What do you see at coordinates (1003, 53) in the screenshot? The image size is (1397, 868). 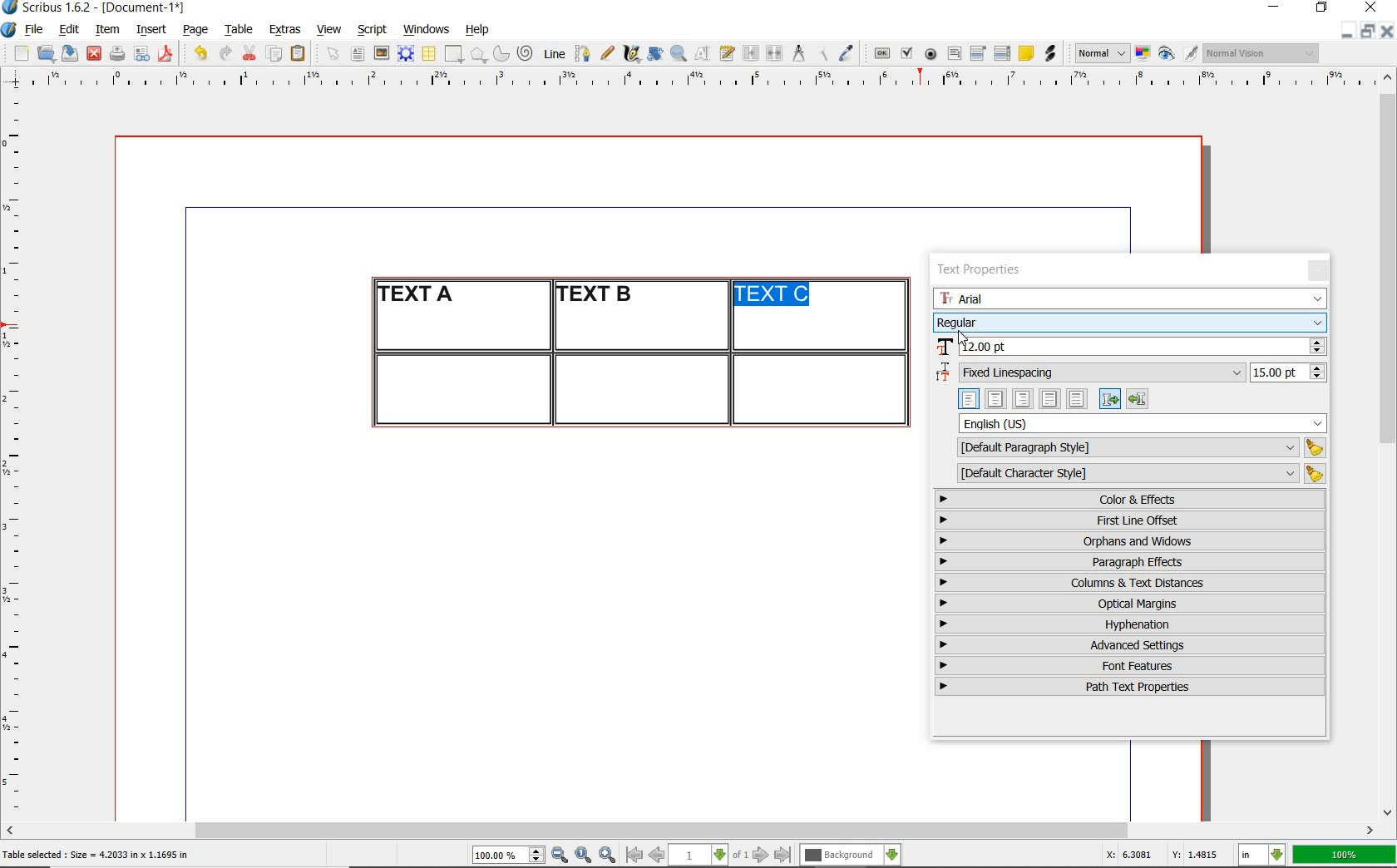 I see `pdf list box` at bounding box center [1003, 53].